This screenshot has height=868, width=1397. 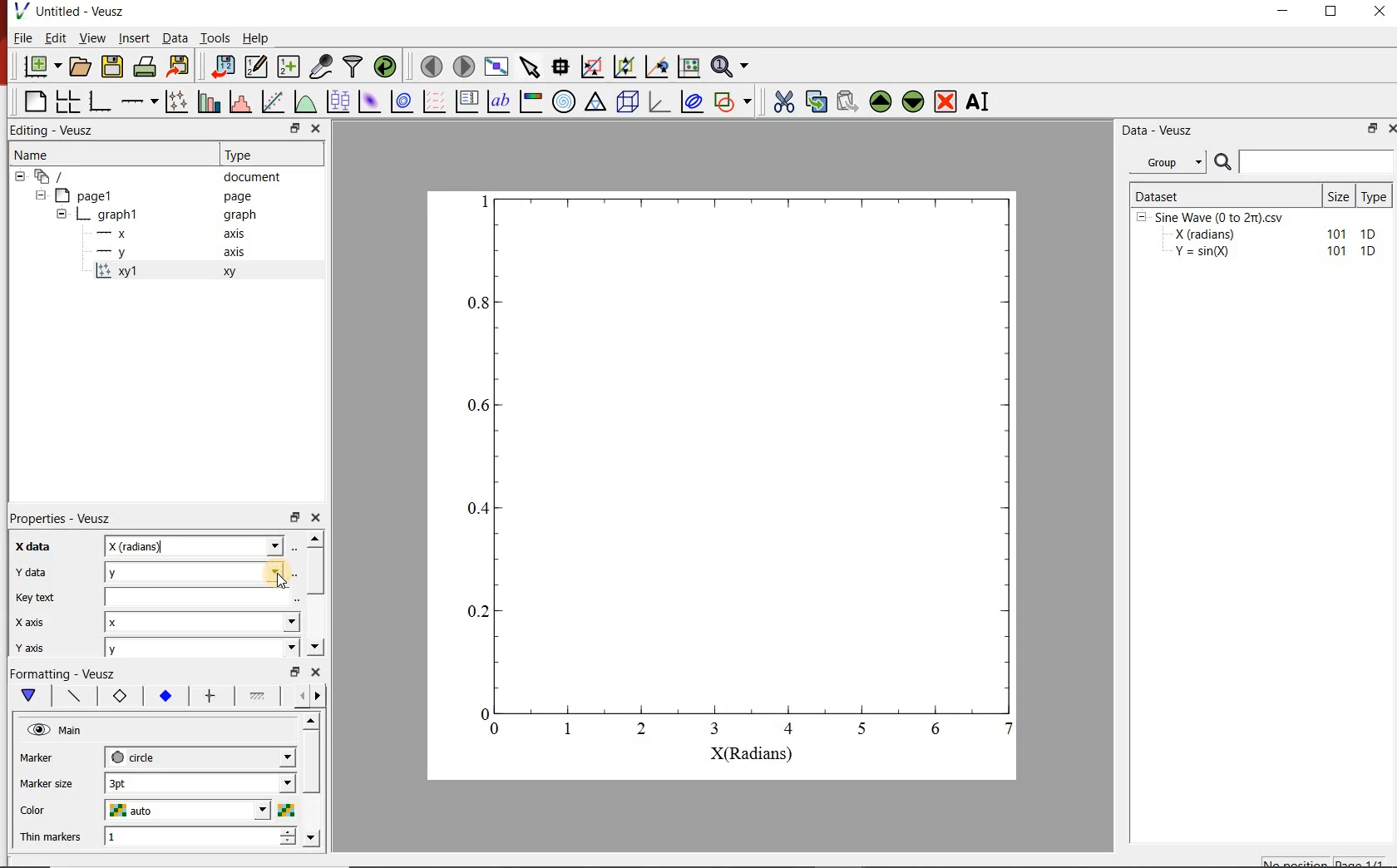 What do you see at coordinates (1340, 195) in the screenshot?
I see `Size` at bounding box center [1340, 195].